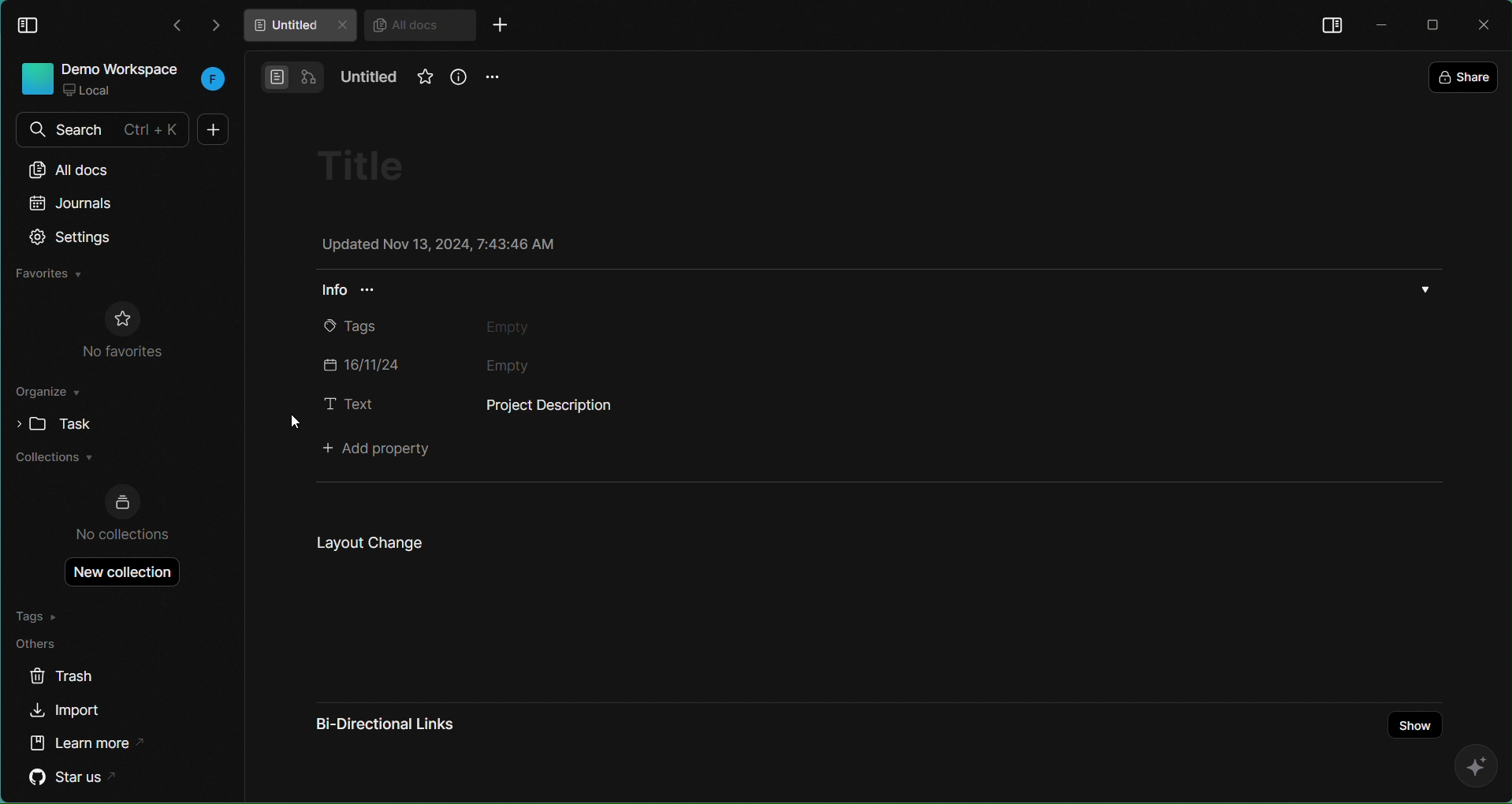  What do you see at coordinates (86, 168) in the screenshot?
I see `all docs ` at bounding box center [86, 168].